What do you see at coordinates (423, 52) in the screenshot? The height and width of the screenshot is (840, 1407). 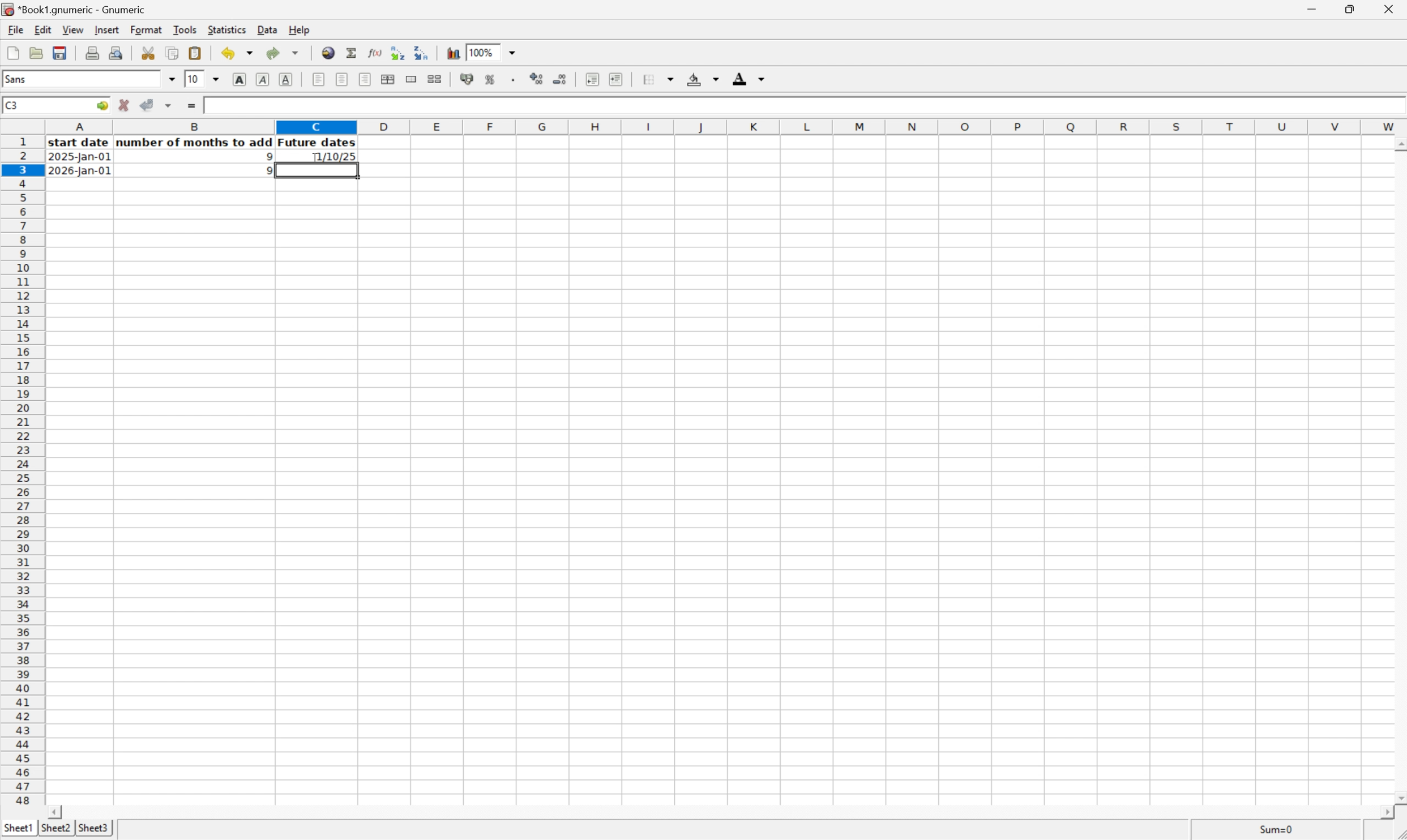 I see `Sort the selected region in descending order based on the first column selected` at bounding box center [423, 52].